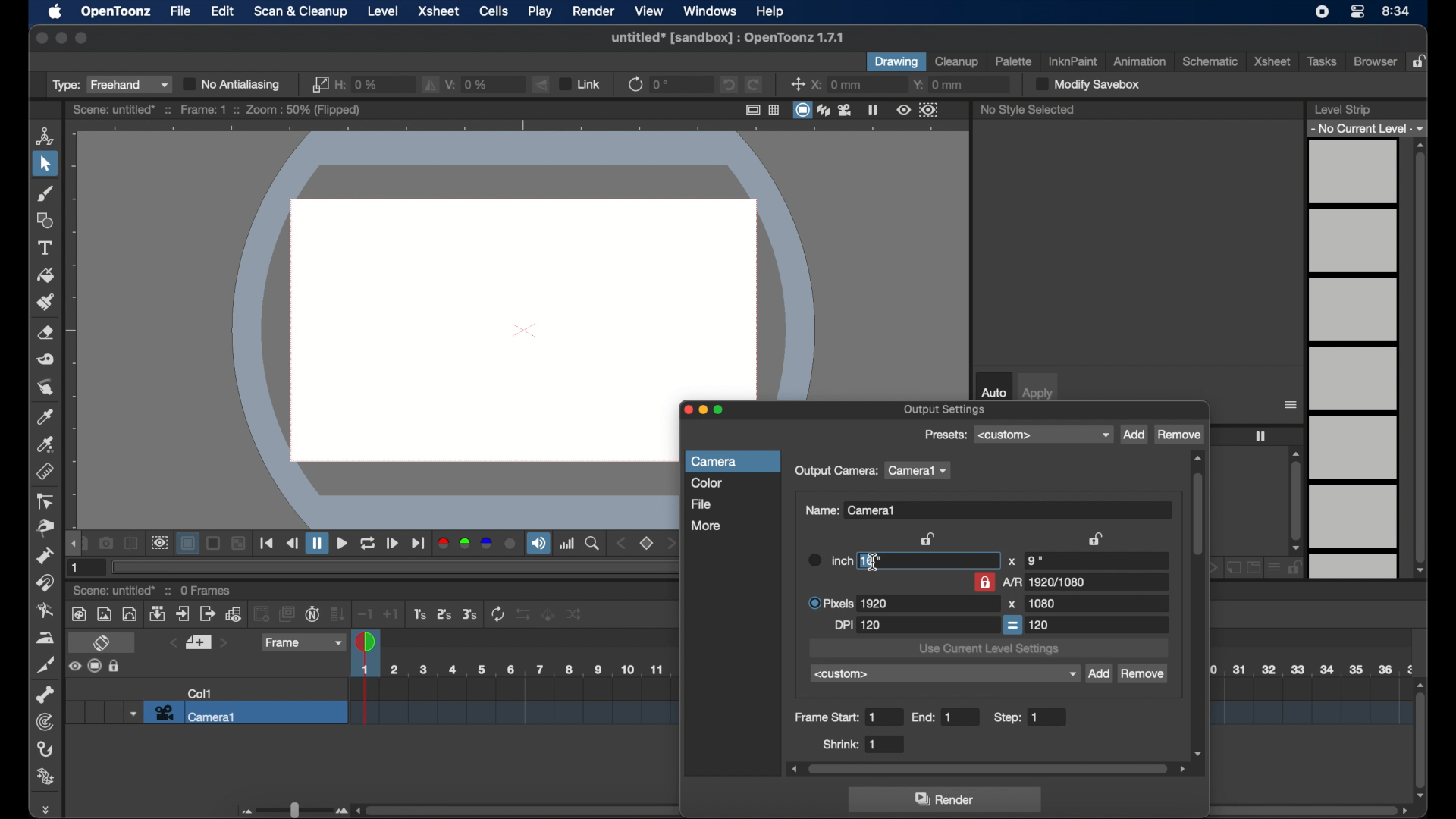 Image resolution: width=1456 pixels, height=819 pixels. What do you see at coordinates (223, 12) in the screenshot?
I see `edit` at bounding box center [223, 12].